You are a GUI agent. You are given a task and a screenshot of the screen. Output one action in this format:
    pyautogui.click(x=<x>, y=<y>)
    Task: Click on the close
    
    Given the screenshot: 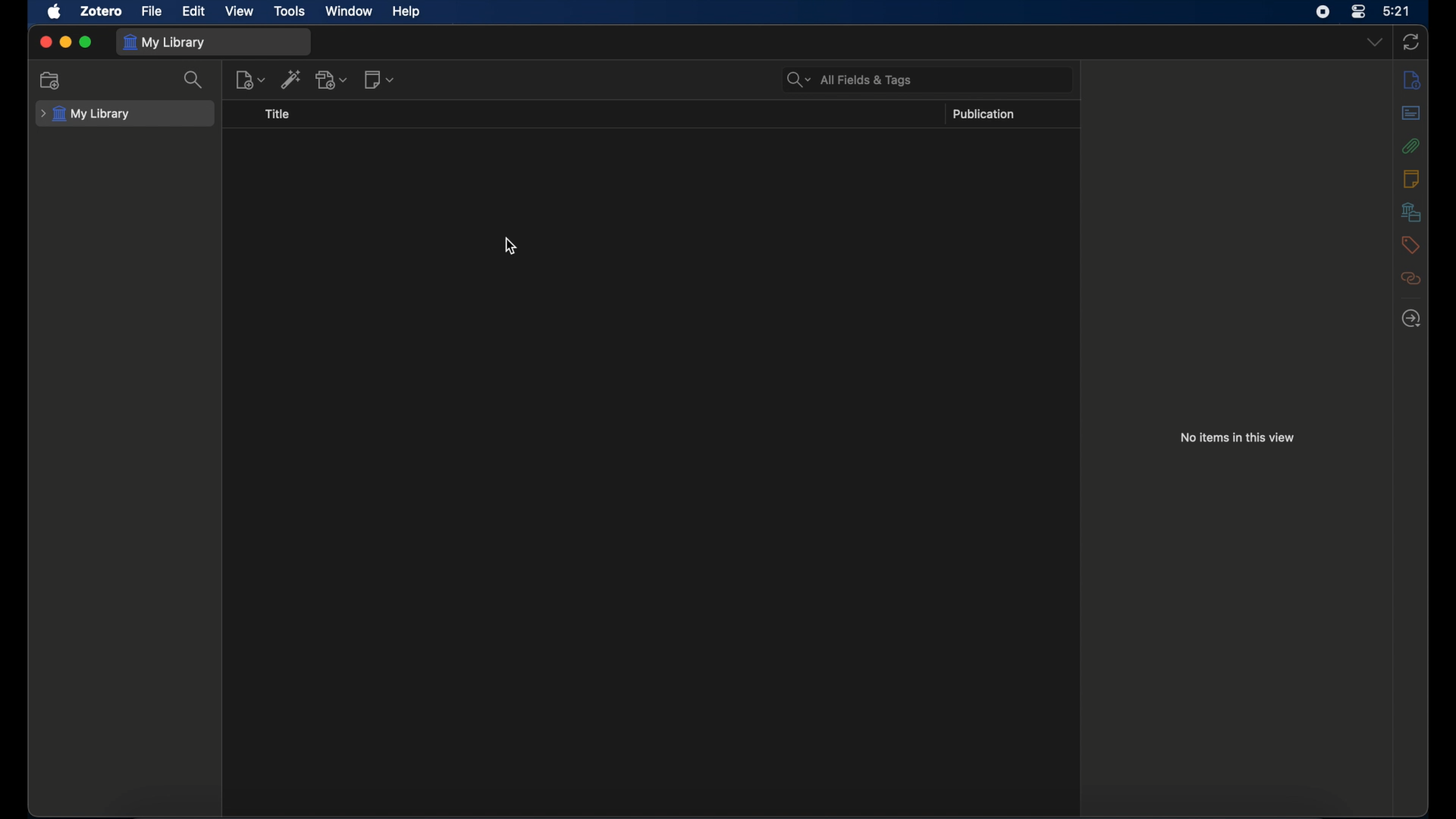 What is the action you would take?
    pyautogui.click(x=45, y=41)
    